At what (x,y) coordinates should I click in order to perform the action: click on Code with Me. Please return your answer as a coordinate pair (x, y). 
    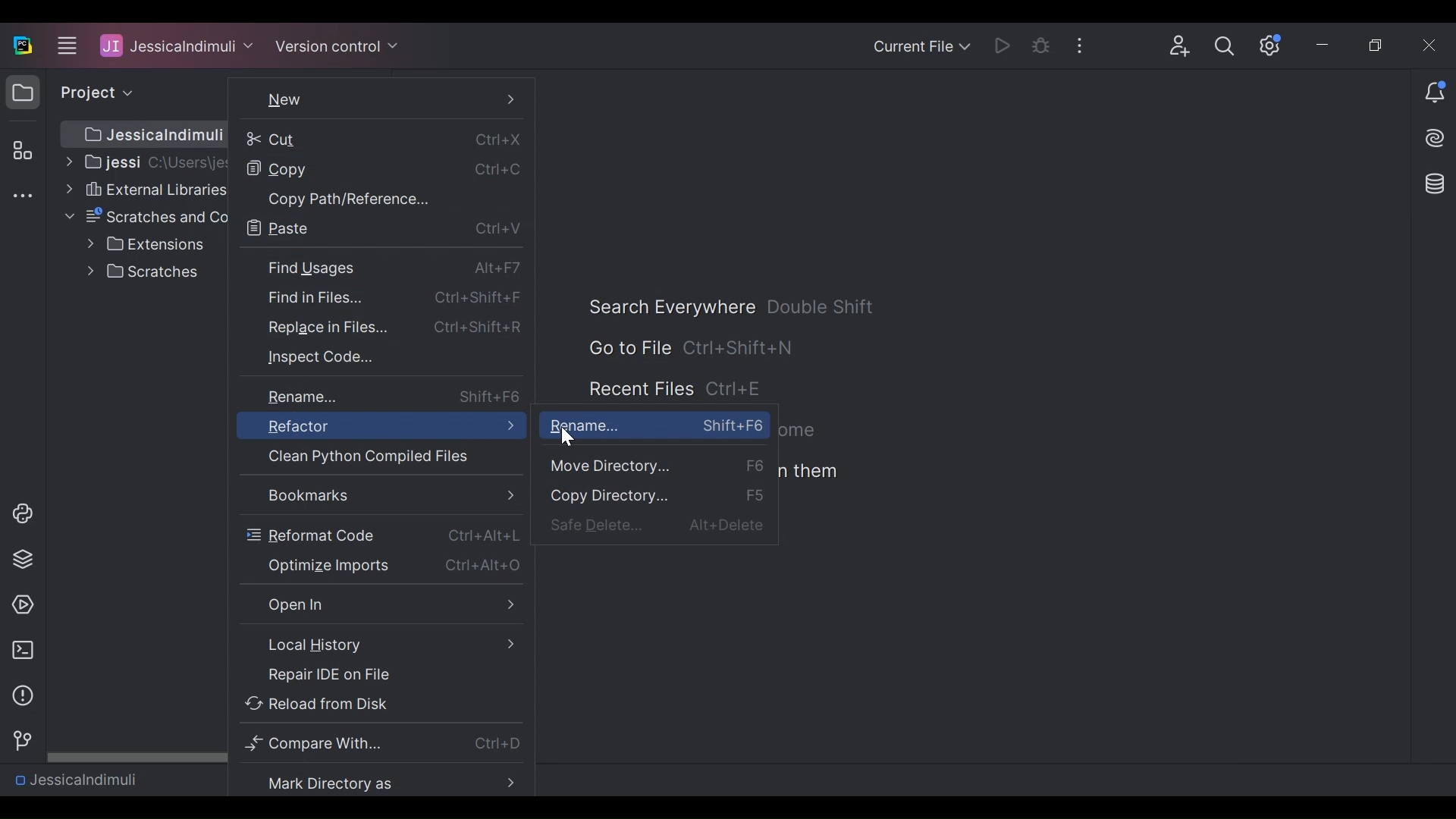
    Looking at the image, I should click on (1180, 46).